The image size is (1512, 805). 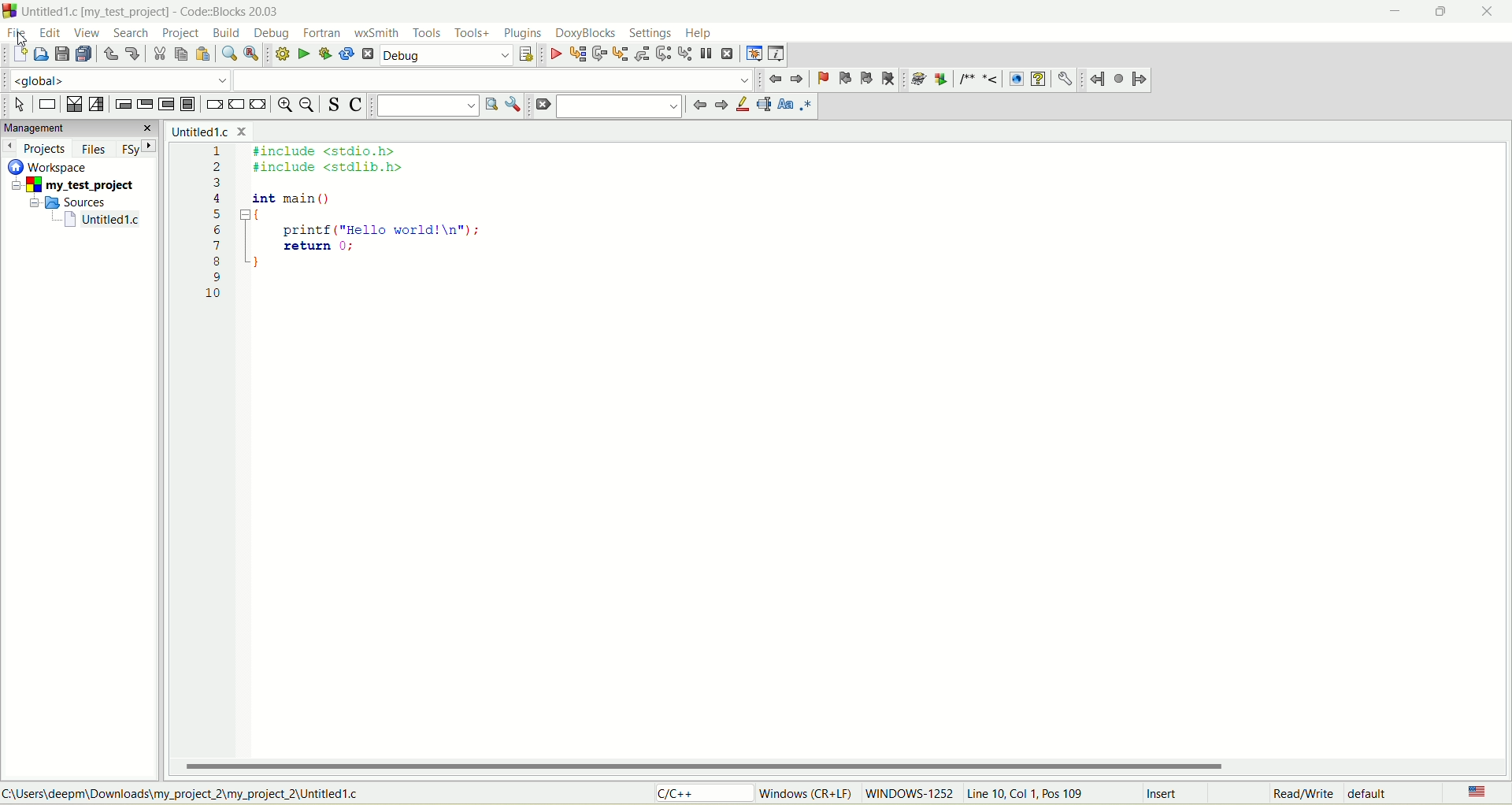 I want to click on help, so click(x=699, y=34).